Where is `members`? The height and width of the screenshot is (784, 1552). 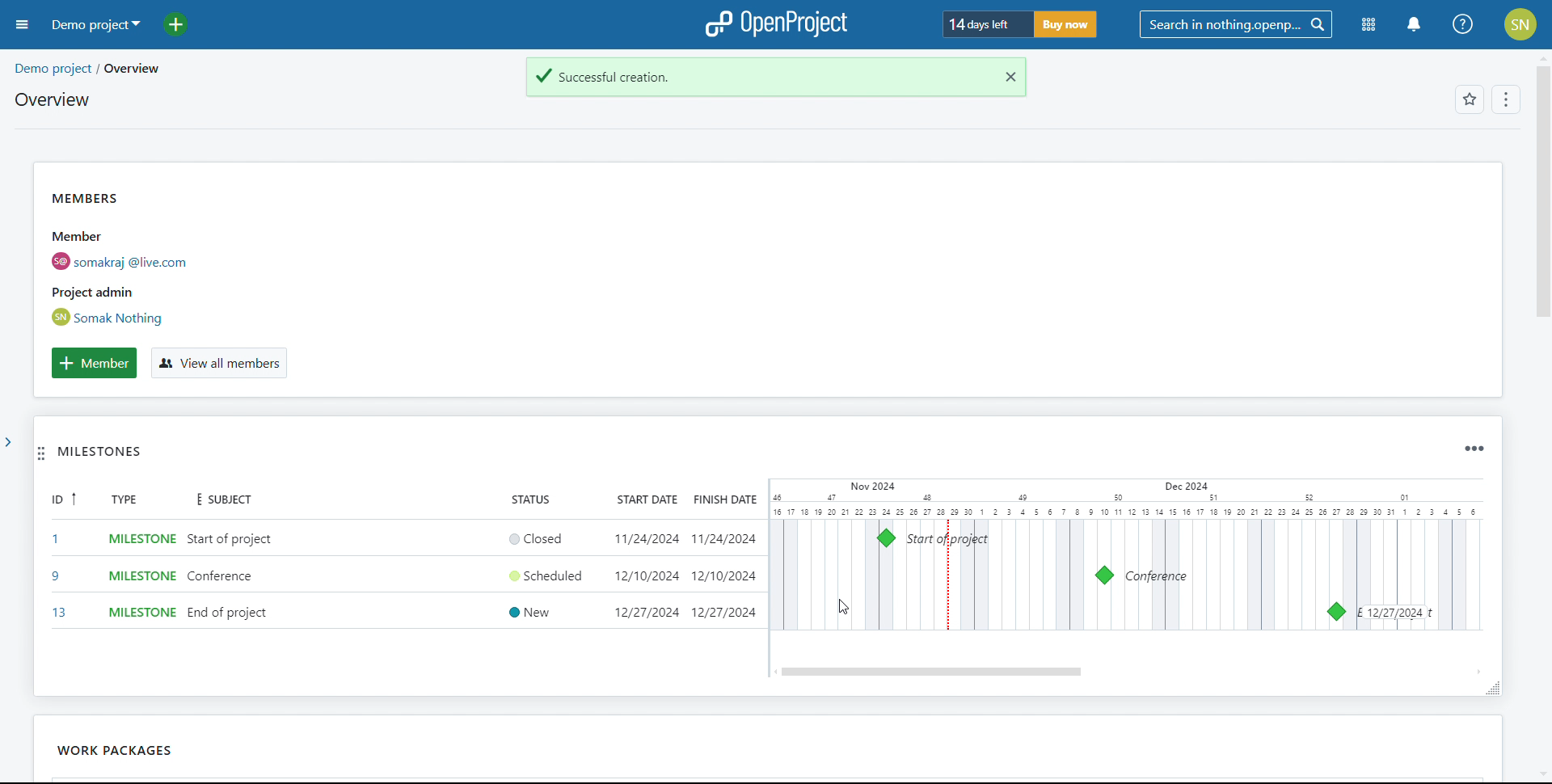
members is located at coordinates (149, 258).